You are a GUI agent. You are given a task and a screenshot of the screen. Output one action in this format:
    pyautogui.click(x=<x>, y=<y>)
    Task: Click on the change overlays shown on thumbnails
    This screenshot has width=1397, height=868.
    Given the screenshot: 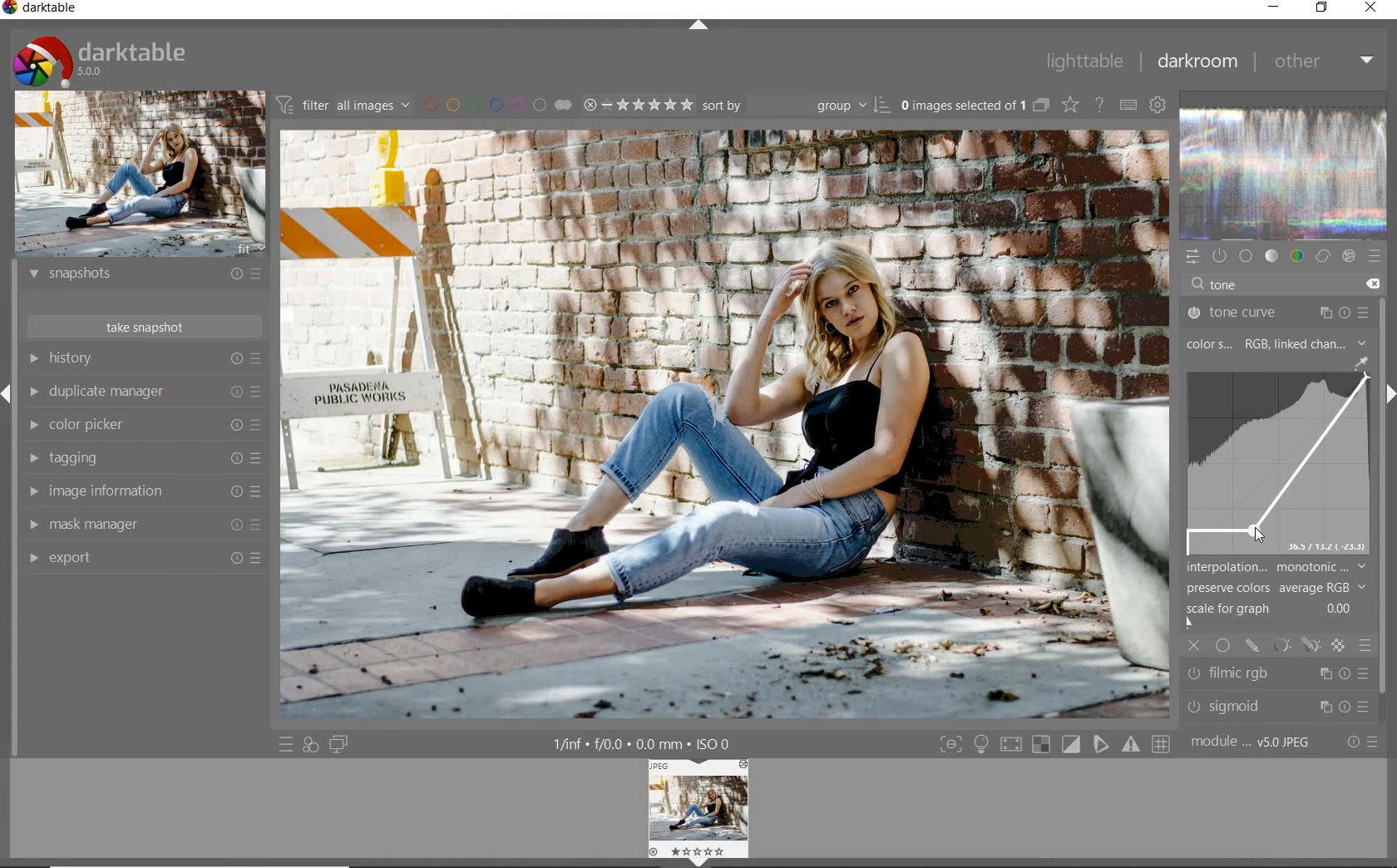 What is the action you would take?
    pyautogui.click(x=1069, y=104)
    